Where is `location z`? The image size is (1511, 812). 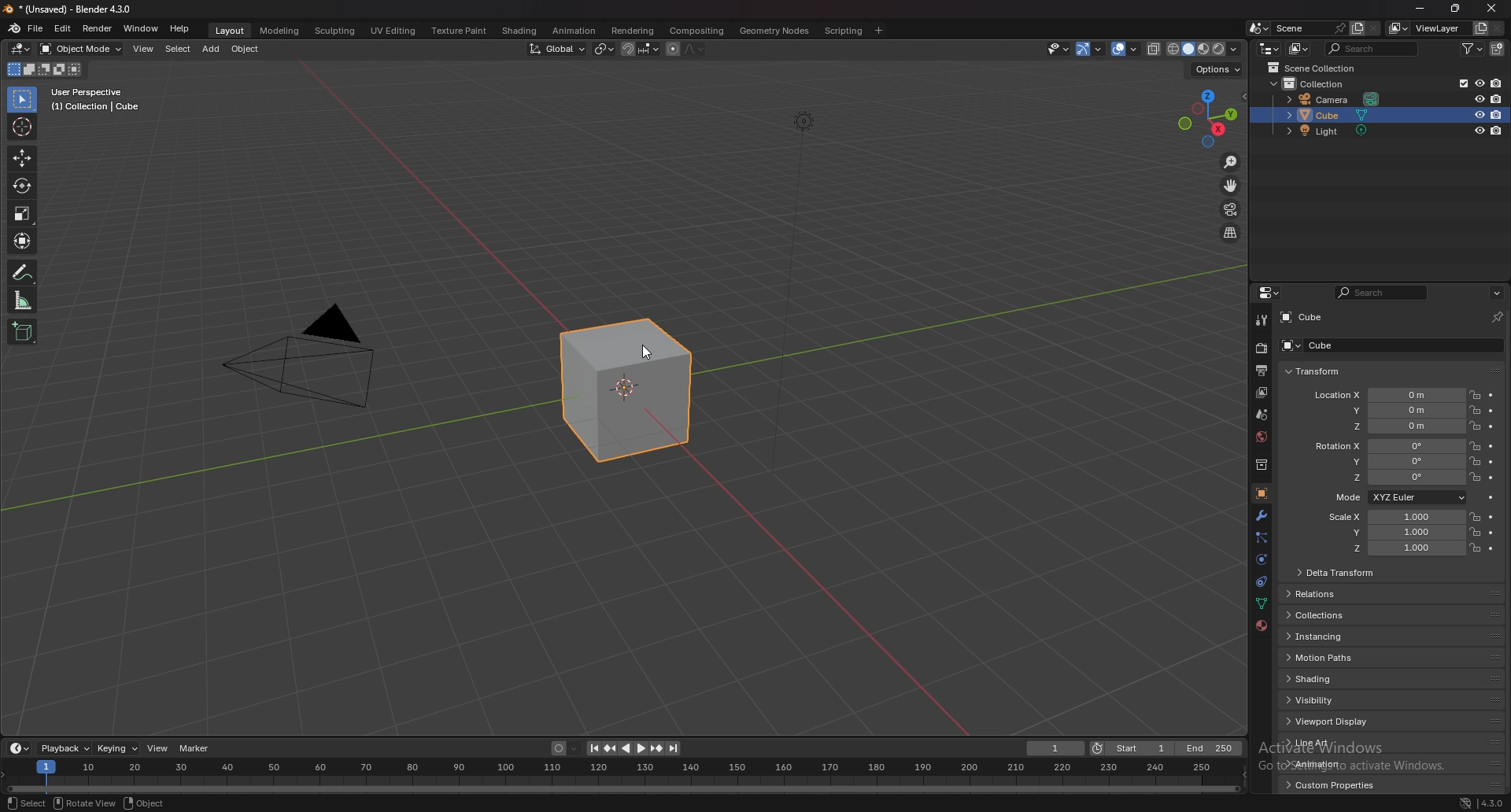 location z is located at coordinates (1389, 426).